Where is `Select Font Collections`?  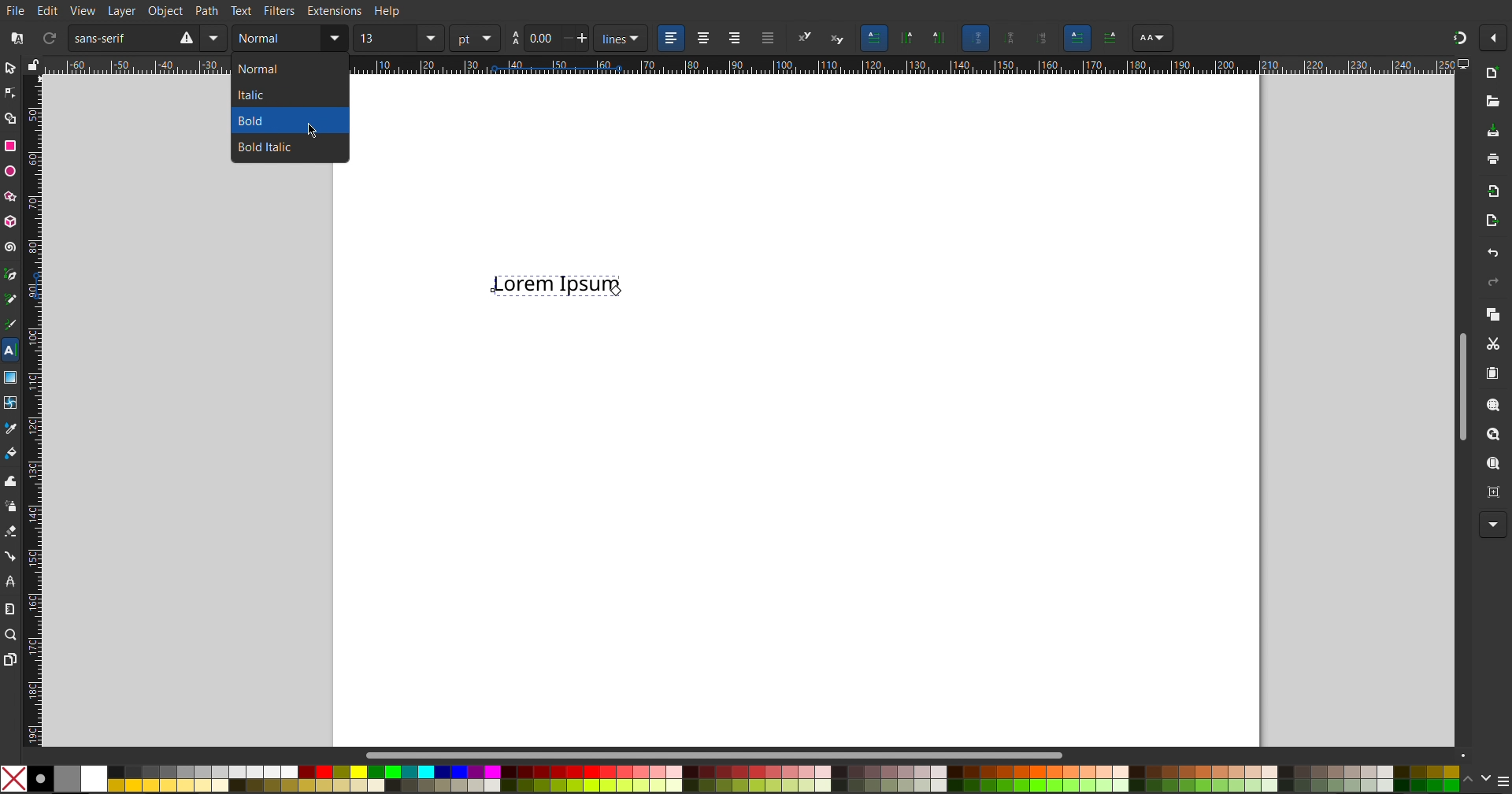
Select Font Collections is located at coordinates (15, 39).